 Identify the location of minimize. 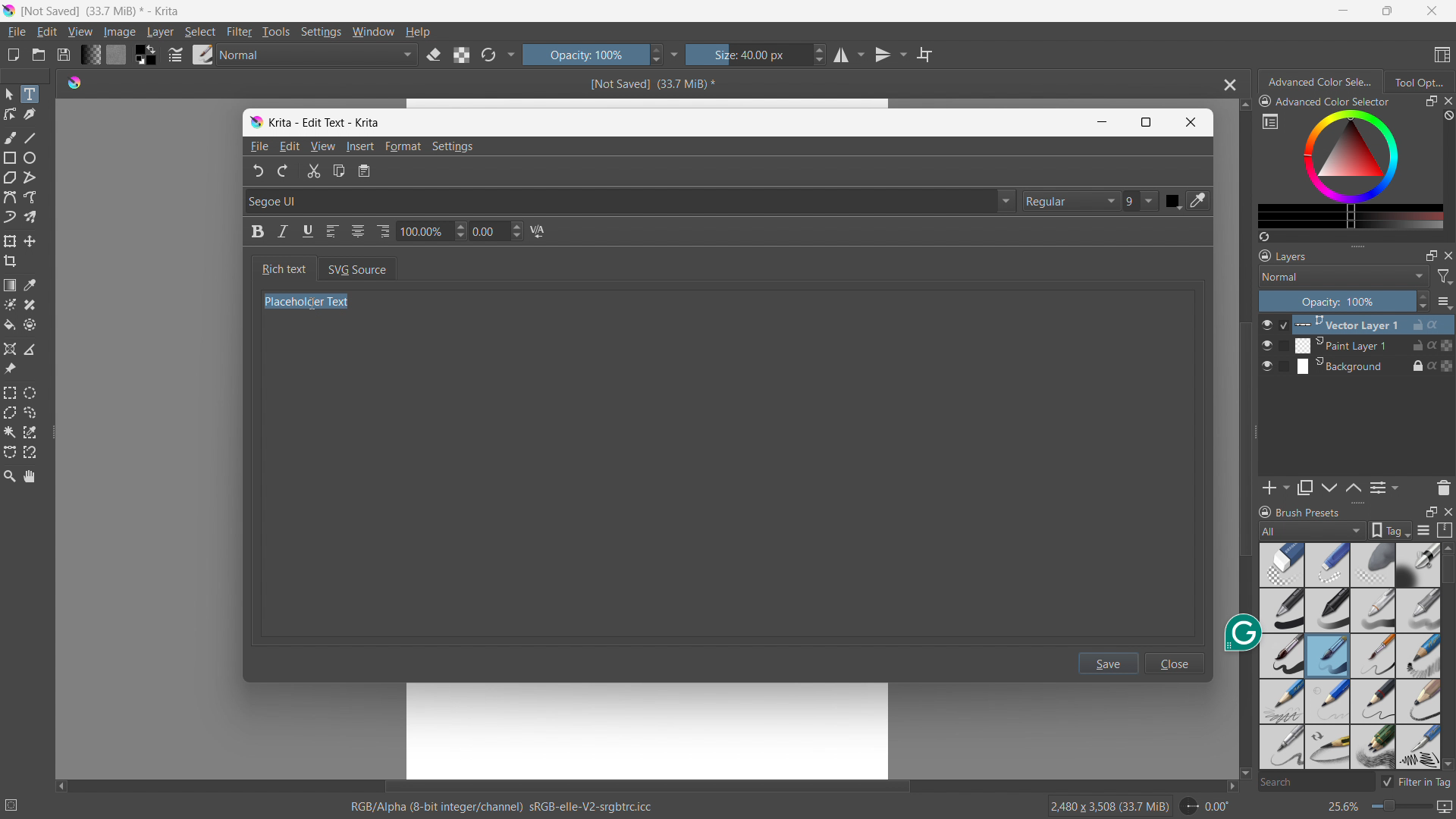
(1344, 10).